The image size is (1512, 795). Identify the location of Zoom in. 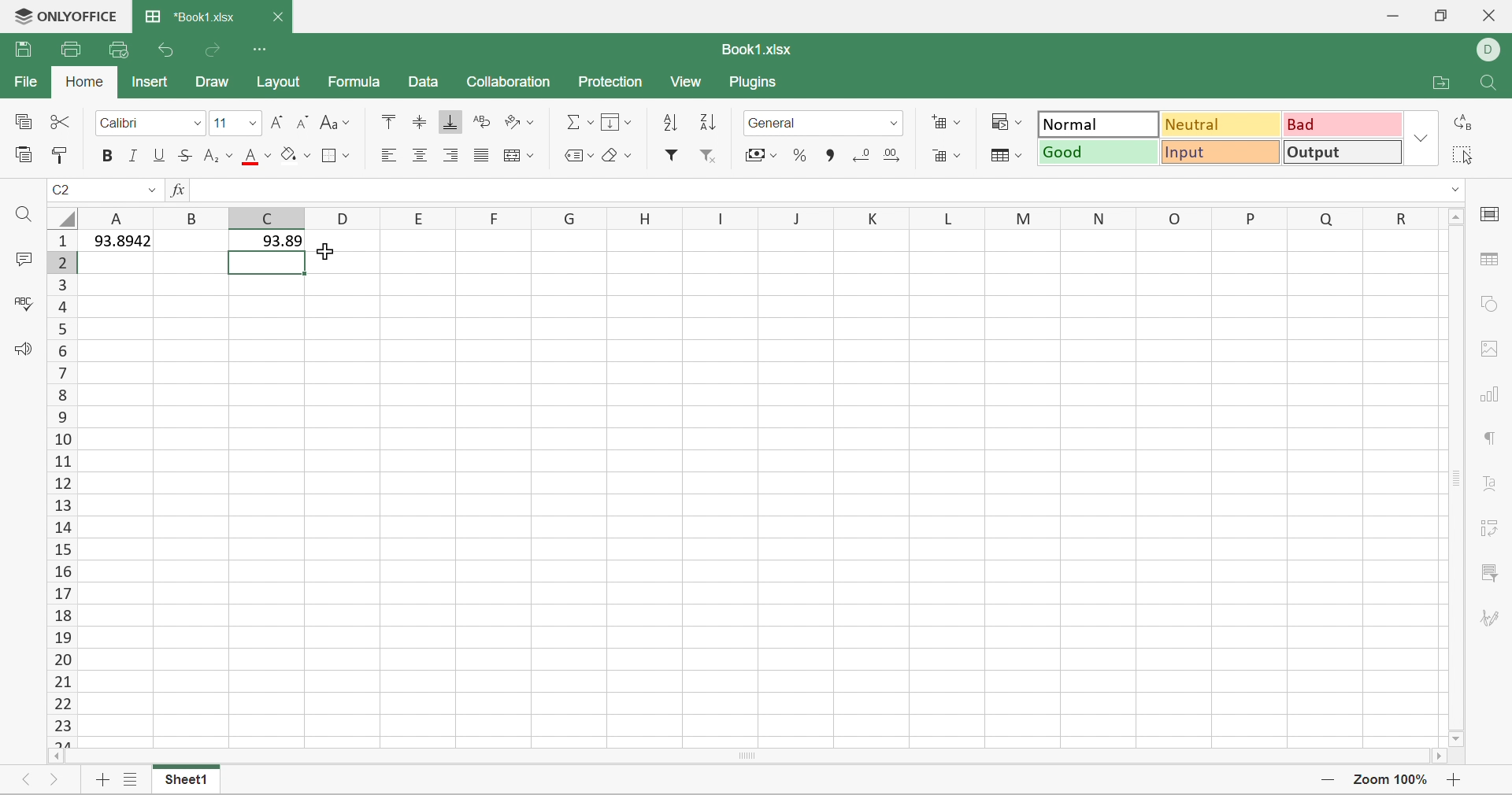
(1454, 780).